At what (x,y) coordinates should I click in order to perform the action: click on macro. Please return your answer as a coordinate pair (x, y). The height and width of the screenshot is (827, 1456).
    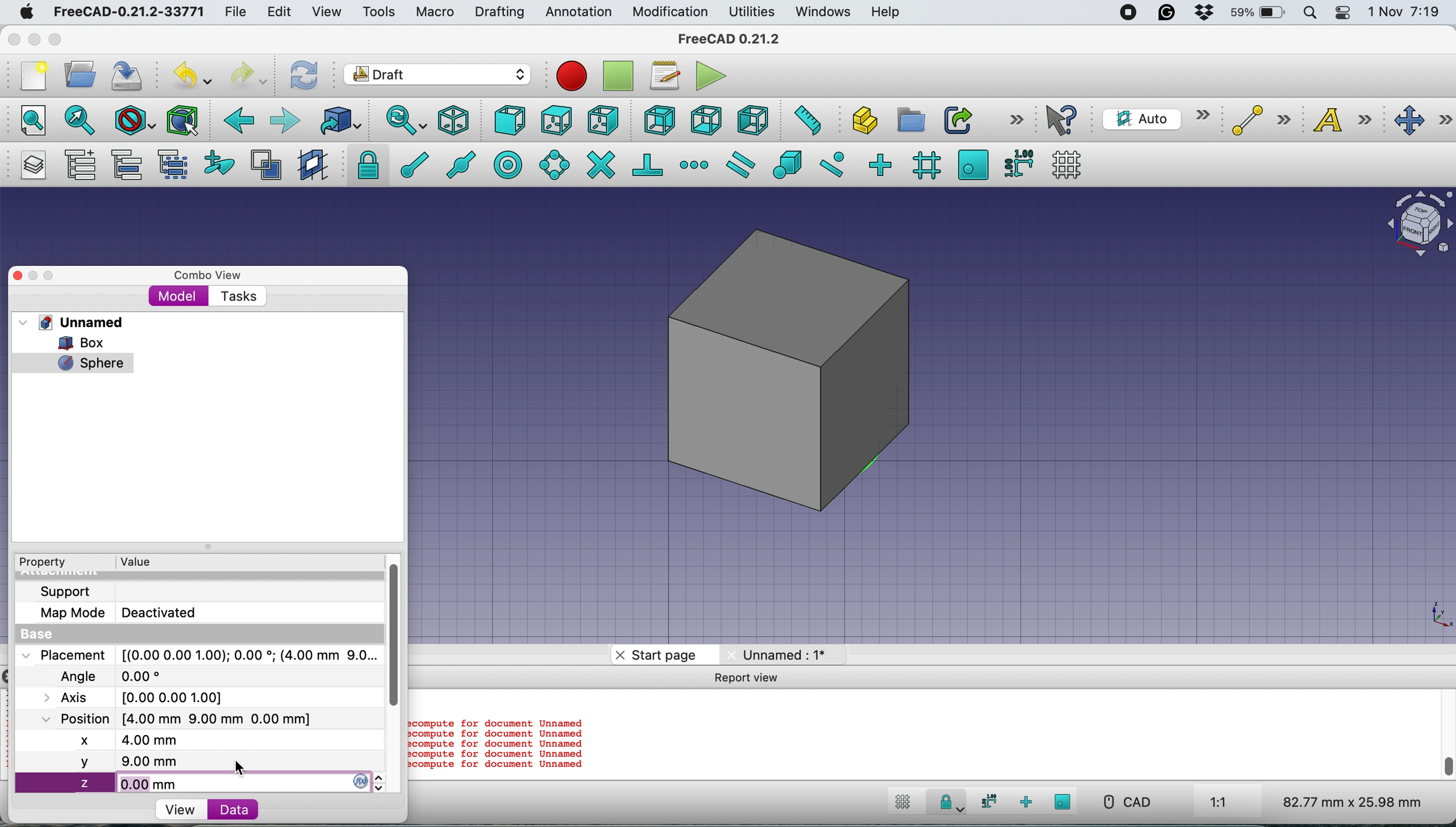
    Looking at the image, I should click on (434, 12).